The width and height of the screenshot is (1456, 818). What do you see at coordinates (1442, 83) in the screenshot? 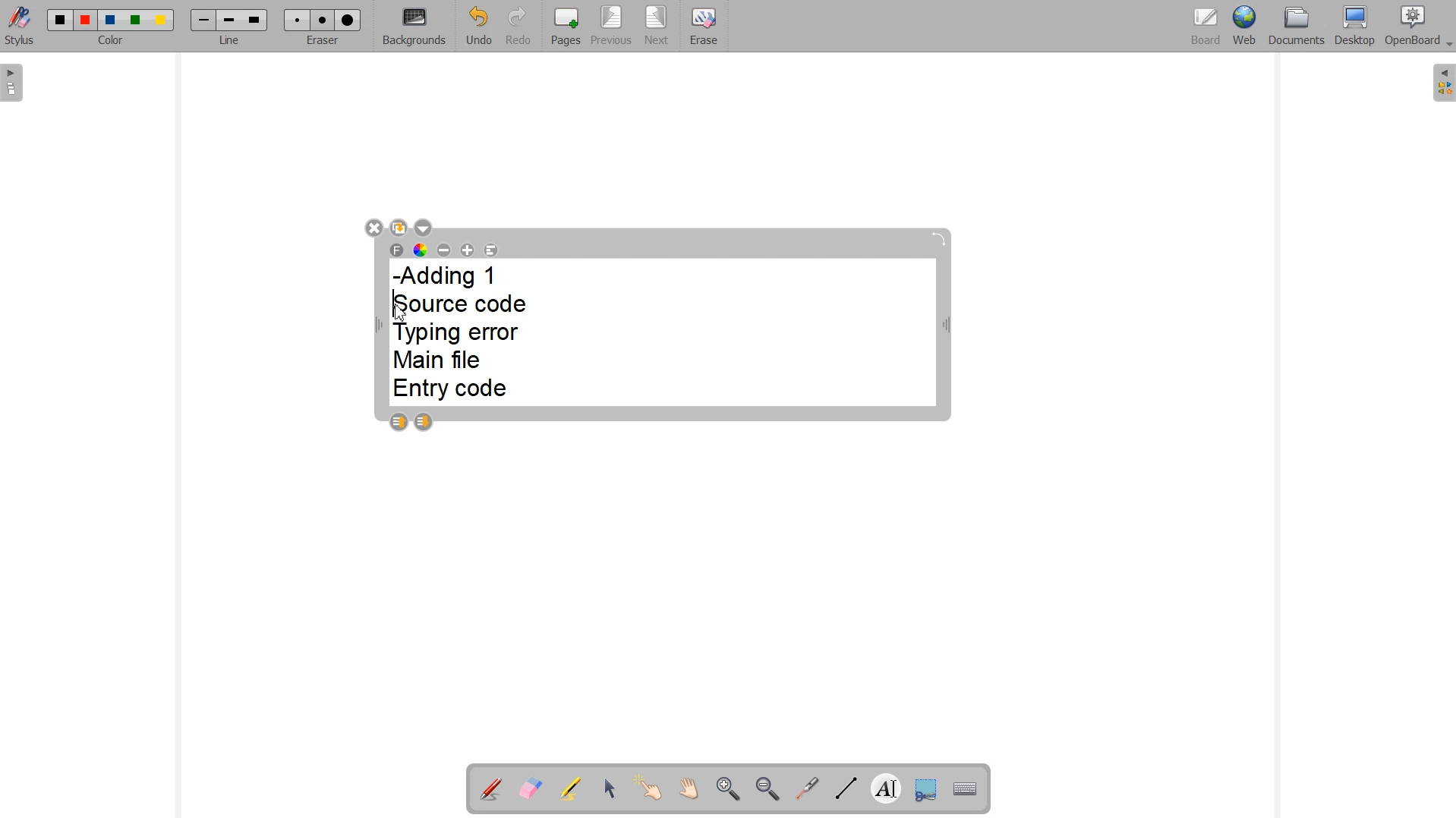
I see `The library (right panel)` at bounding box center [1442, 83].